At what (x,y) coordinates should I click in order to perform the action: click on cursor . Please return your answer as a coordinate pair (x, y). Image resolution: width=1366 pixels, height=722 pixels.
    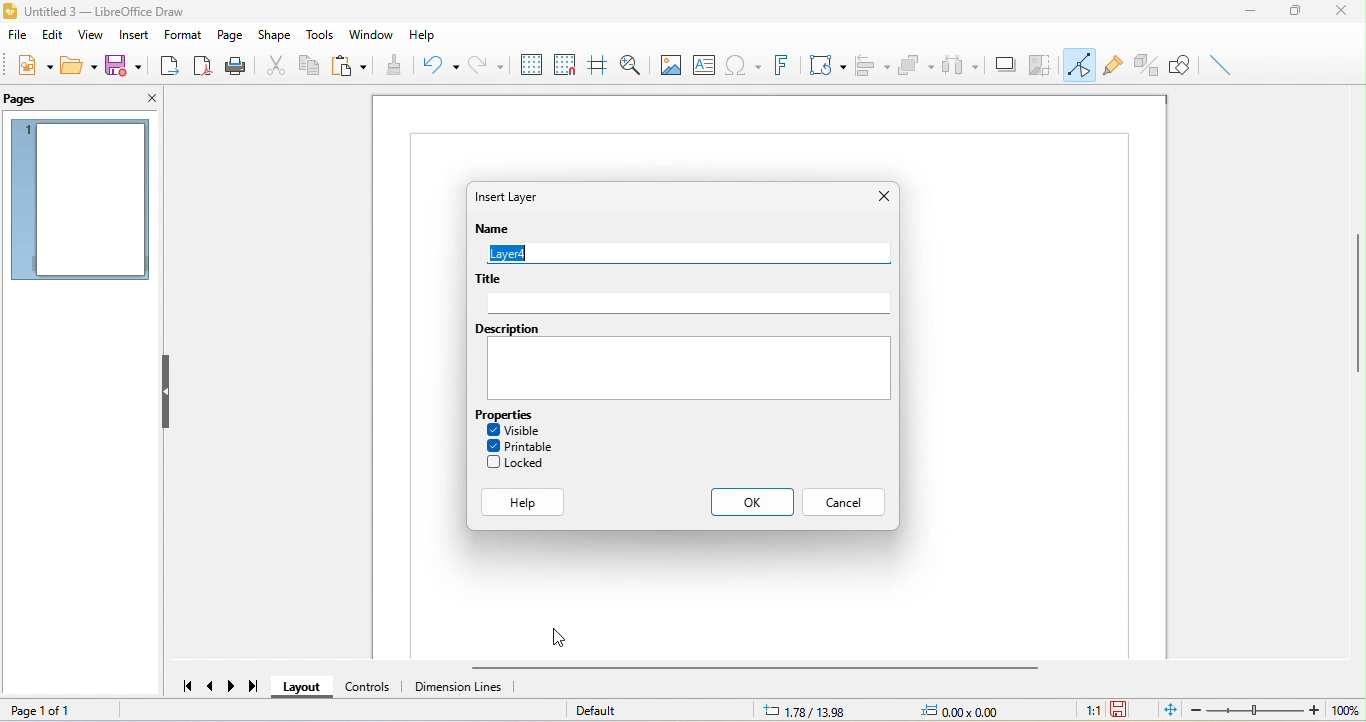
    Looking at the image, I should click on (558, 638).